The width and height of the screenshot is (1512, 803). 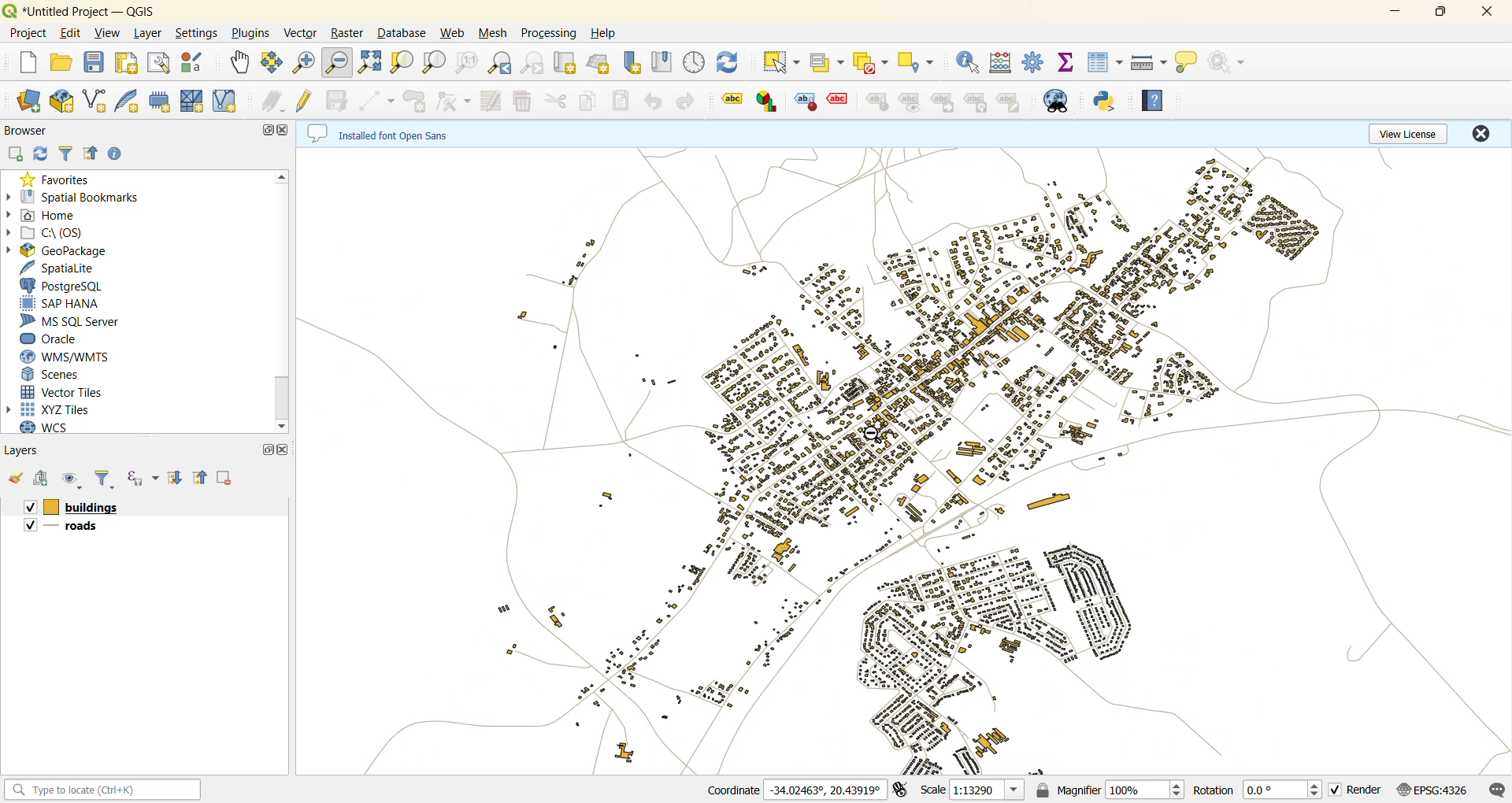 What do you see at coordinates (631, 65) in the screenshot?
I see `new spatial bookmark` at bounding box center [631, 65].